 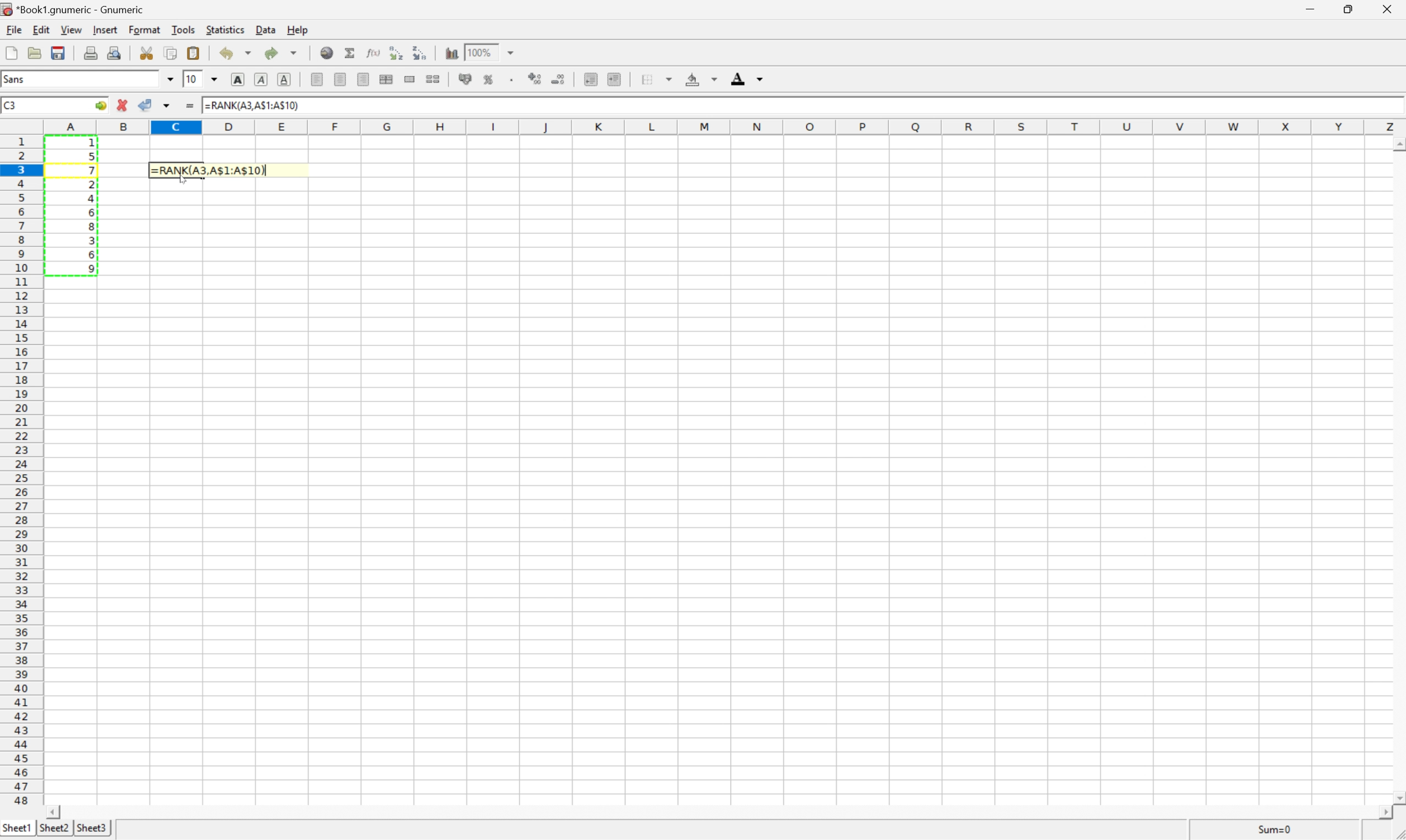 What do you see at coordinates (746, 78) in the screenshot?
I see `foreground` at bounding box center [746, 78].